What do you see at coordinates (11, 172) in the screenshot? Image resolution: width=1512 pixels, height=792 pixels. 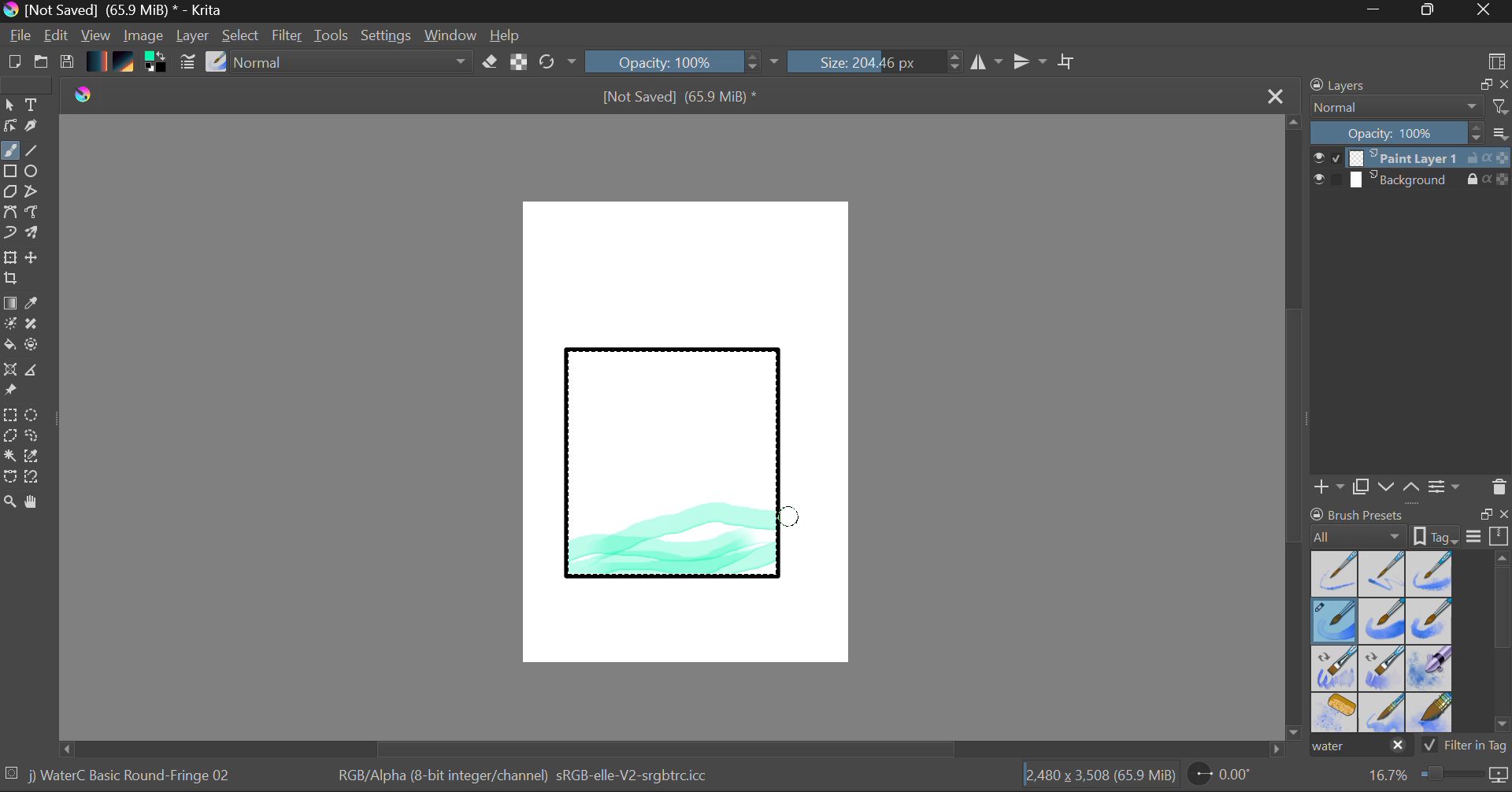 I see `Rectangle` at bounding box center [11, 172].